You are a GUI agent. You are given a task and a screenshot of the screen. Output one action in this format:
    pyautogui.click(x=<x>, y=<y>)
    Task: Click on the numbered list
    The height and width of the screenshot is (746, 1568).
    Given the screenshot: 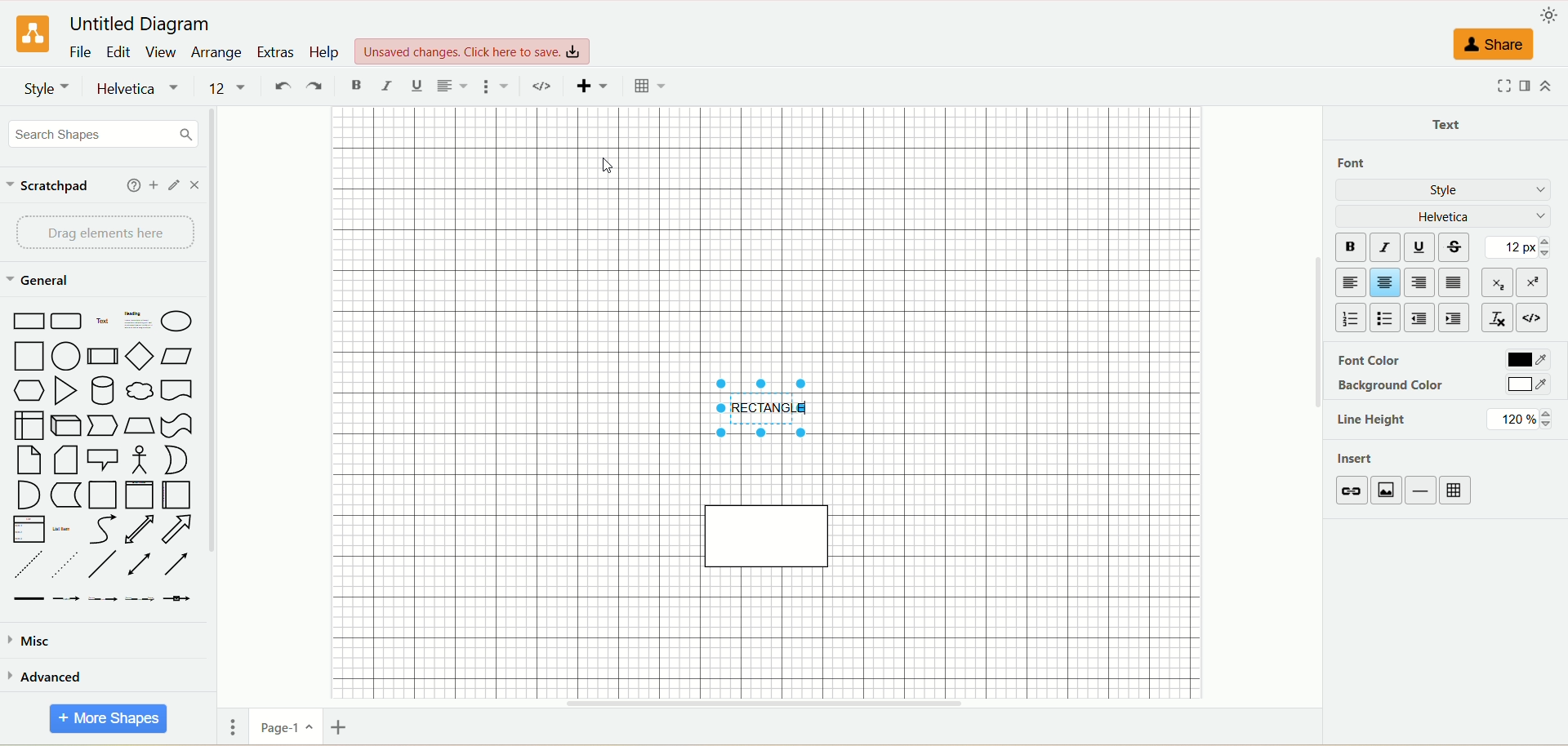 What is the action you would take?
    pyautogui.click(x=1347, y=316)
    